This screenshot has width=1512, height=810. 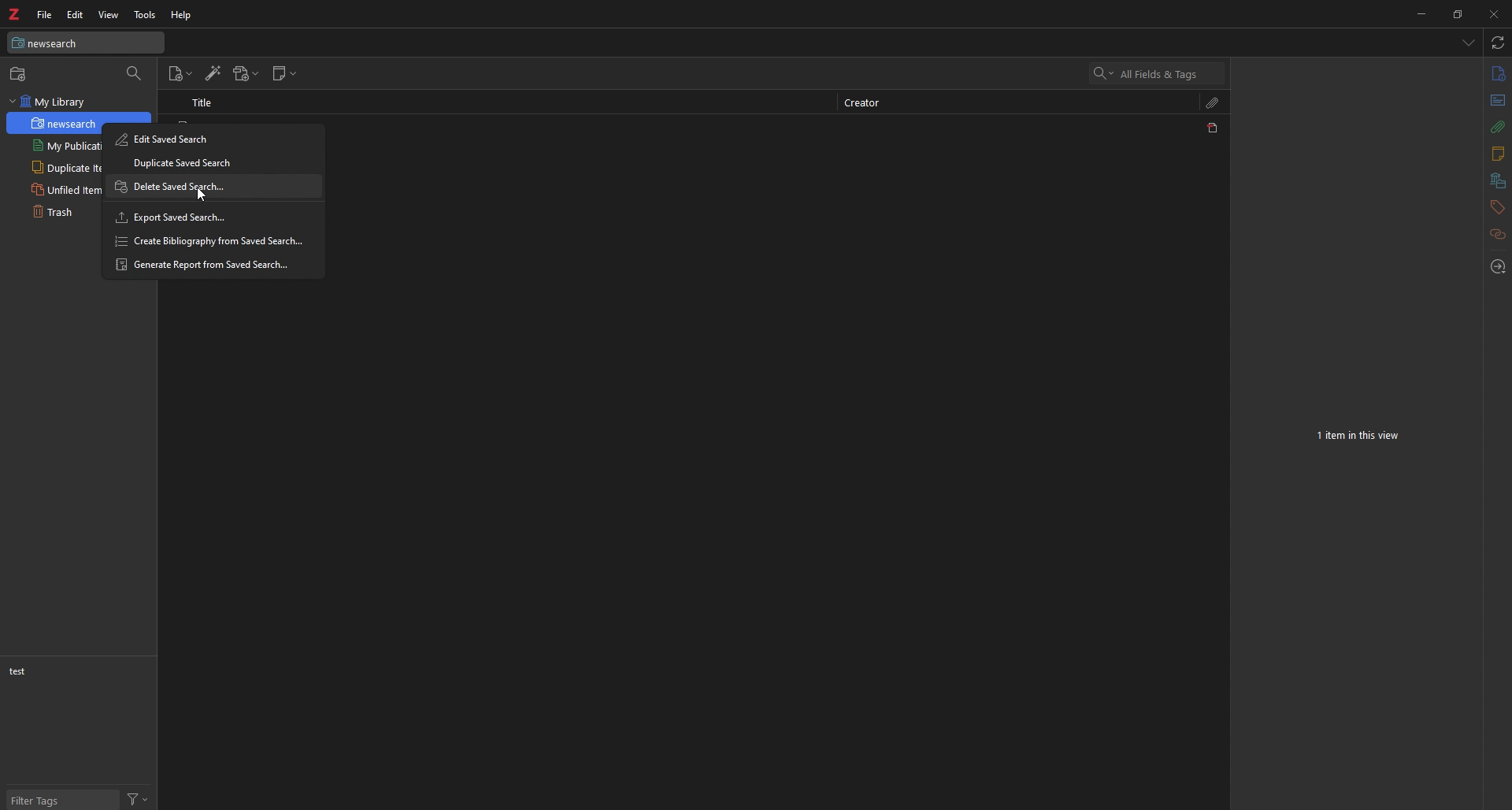 I want to click on Actions, so click(x=139, y=800).